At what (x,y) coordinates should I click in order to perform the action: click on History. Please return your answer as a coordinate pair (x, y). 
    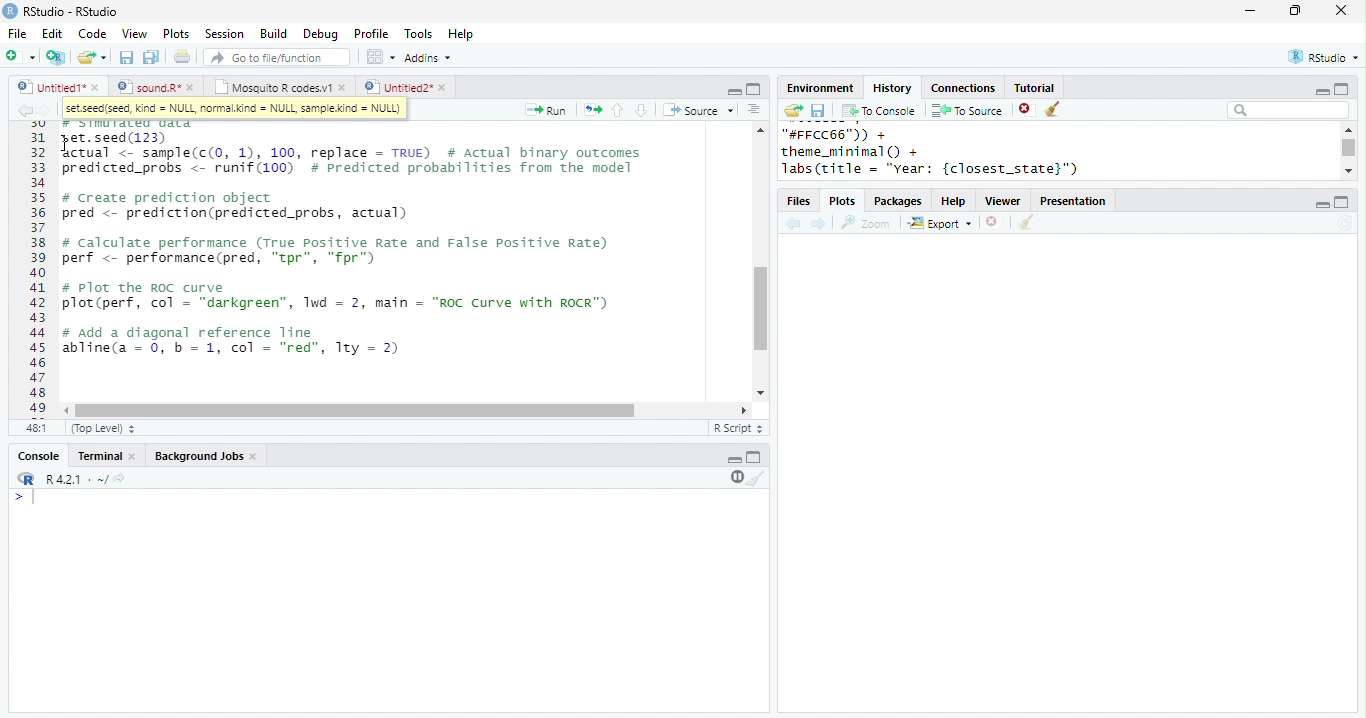
    Looking at the image, I should click on (892, 88).